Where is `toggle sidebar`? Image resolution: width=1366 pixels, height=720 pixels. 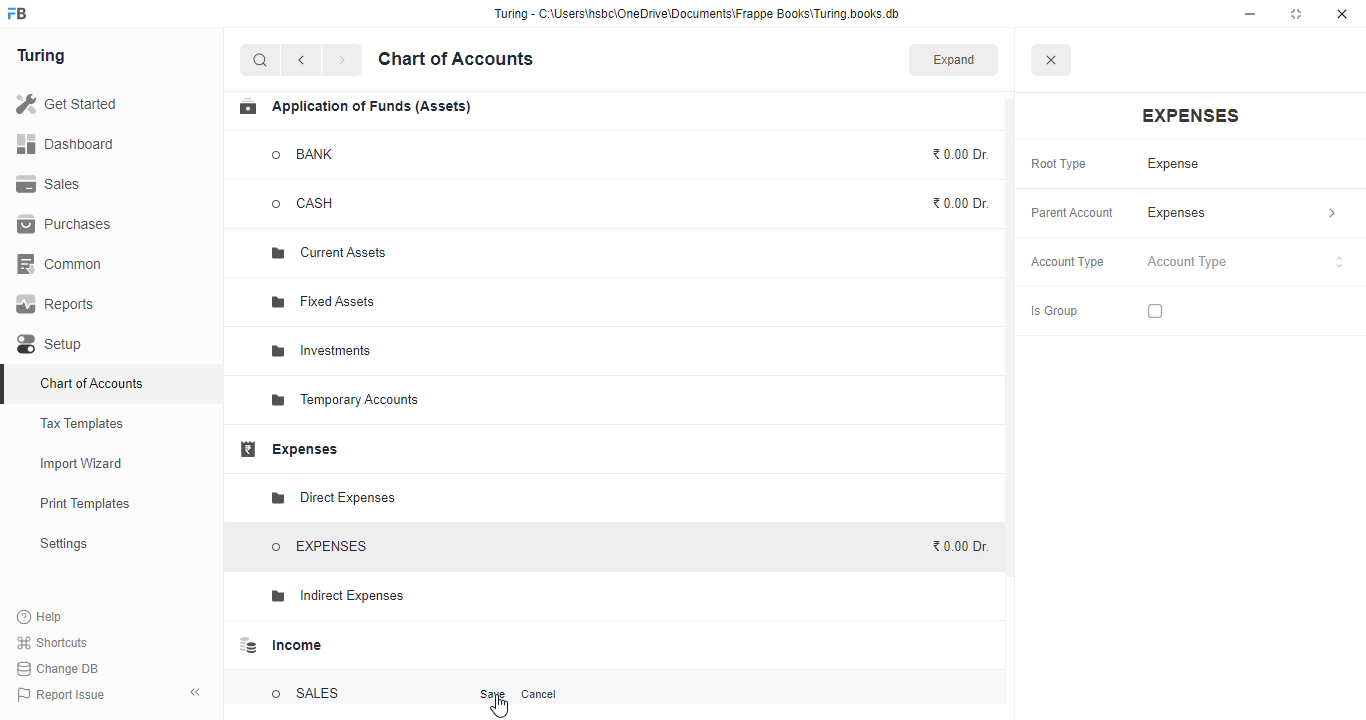 toggle sidebar is located at coordinates (196, 692).